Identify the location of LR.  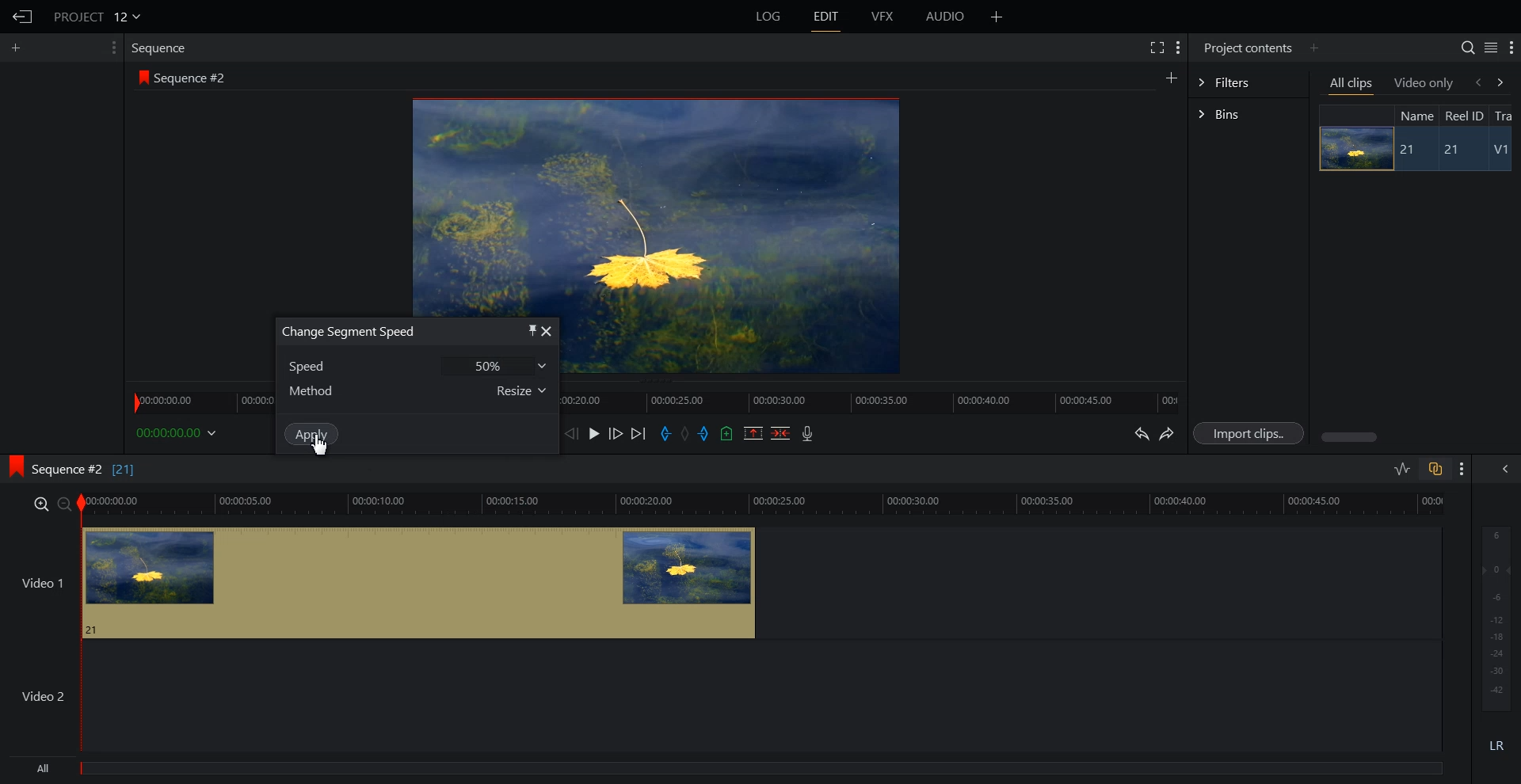
(1497, 743).